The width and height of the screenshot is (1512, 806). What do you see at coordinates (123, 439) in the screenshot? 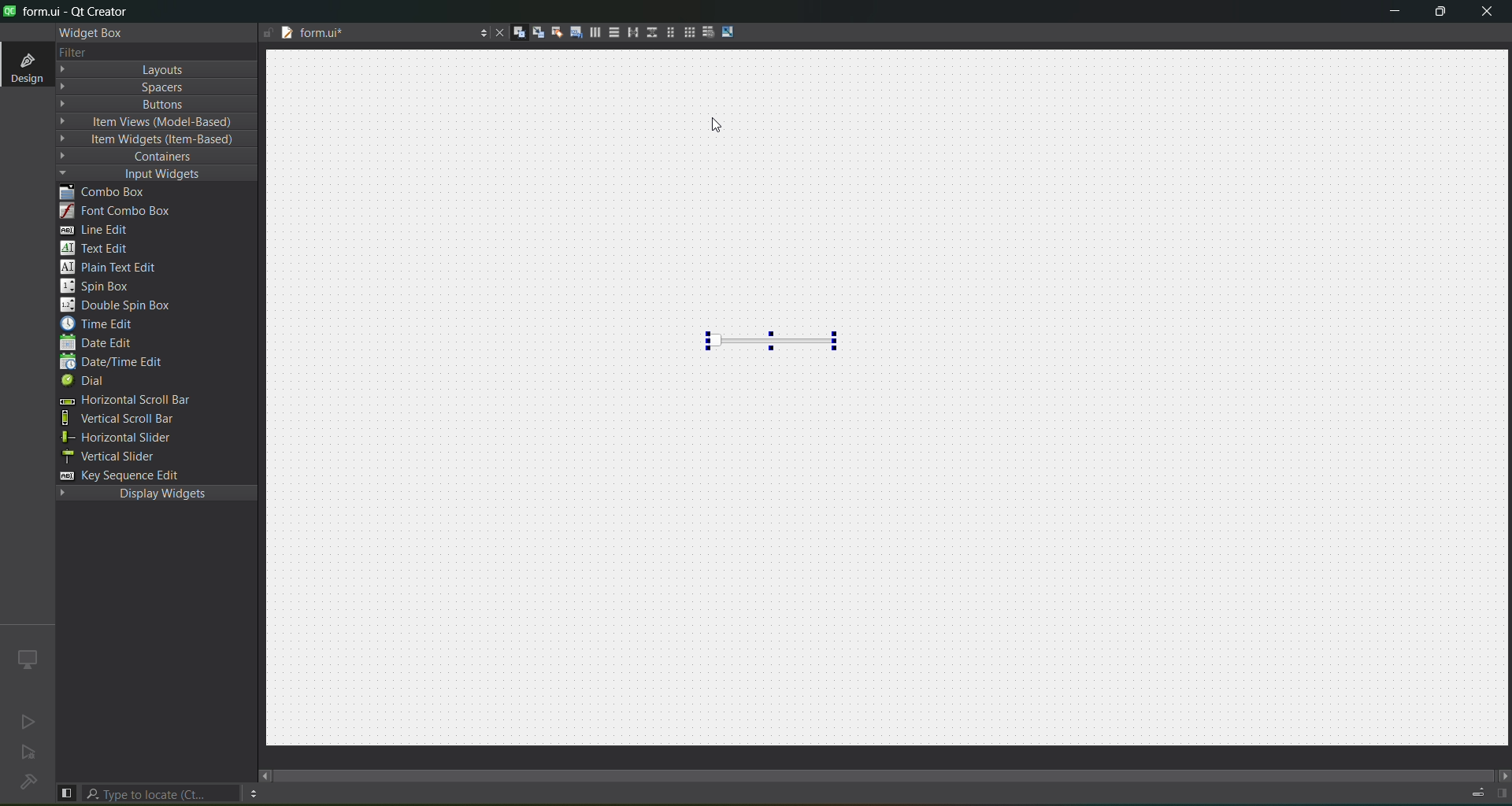
I see `horizontal slider` at bounding box center [123, 439].